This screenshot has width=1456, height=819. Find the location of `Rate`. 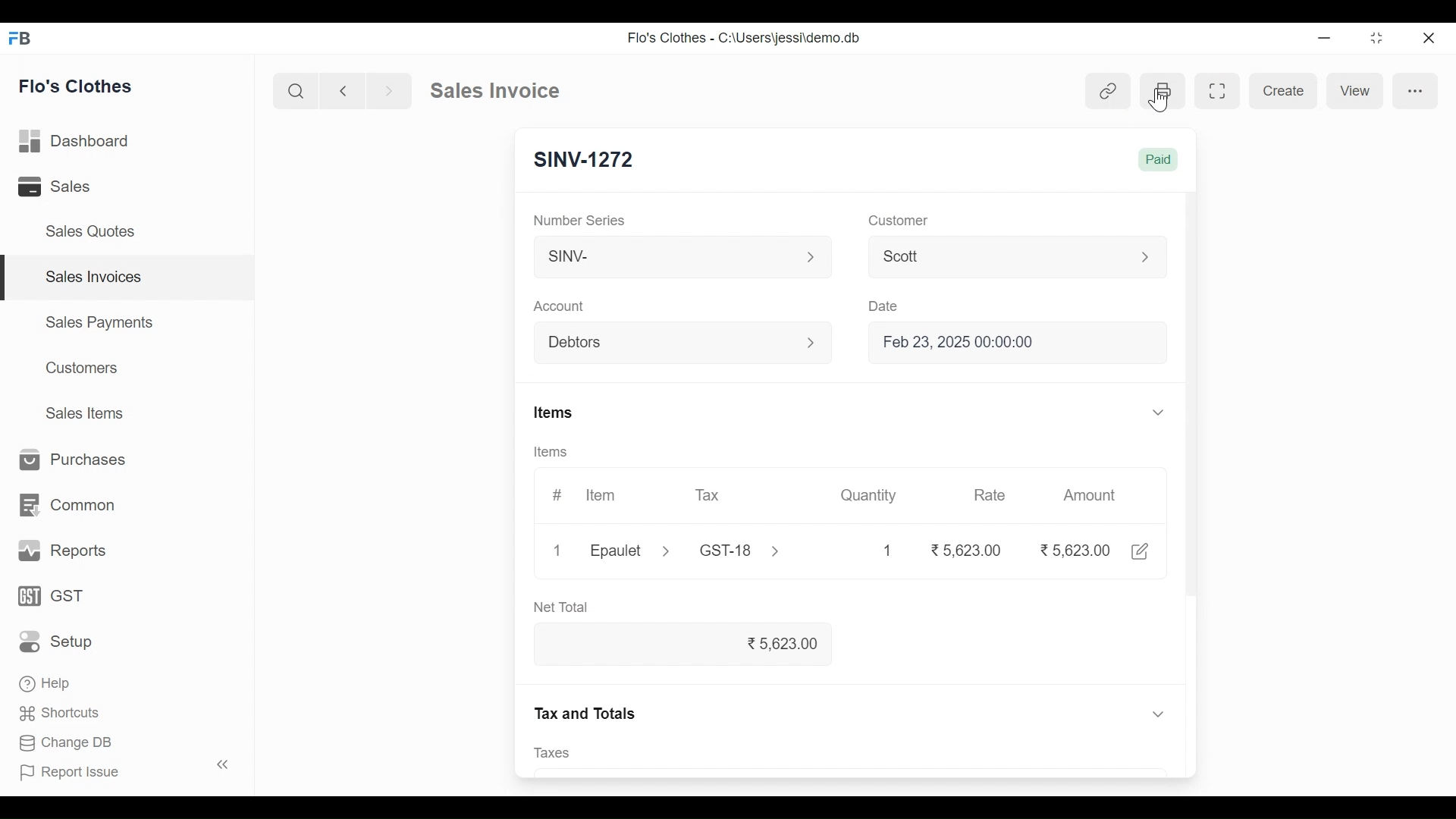

Rate is located at coordinates (987, 495).